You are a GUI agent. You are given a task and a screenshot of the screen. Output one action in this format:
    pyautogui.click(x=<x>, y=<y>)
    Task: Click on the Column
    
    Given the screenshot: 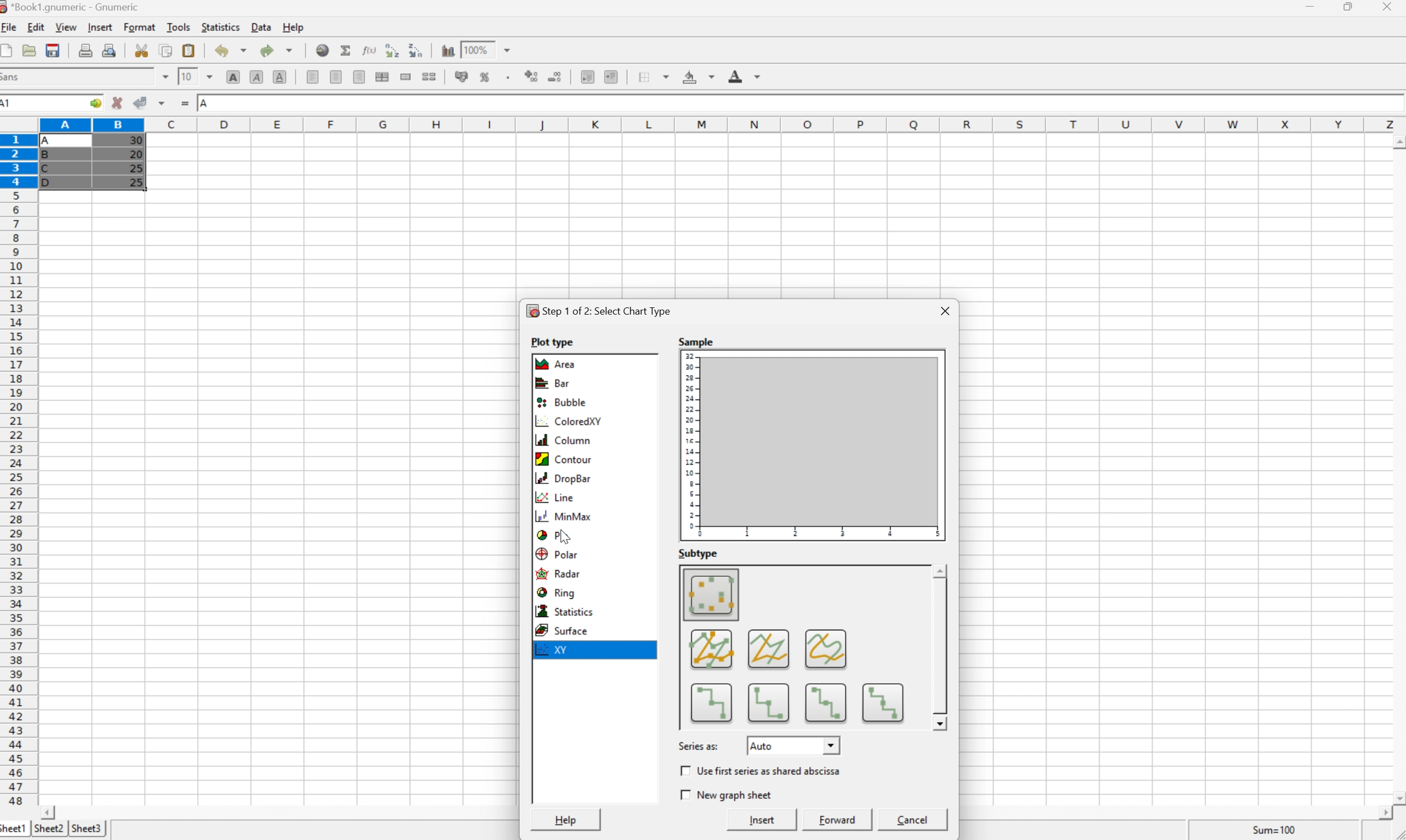 What is the action you would take?
    pyautogui.click(x=560, y=440)
    